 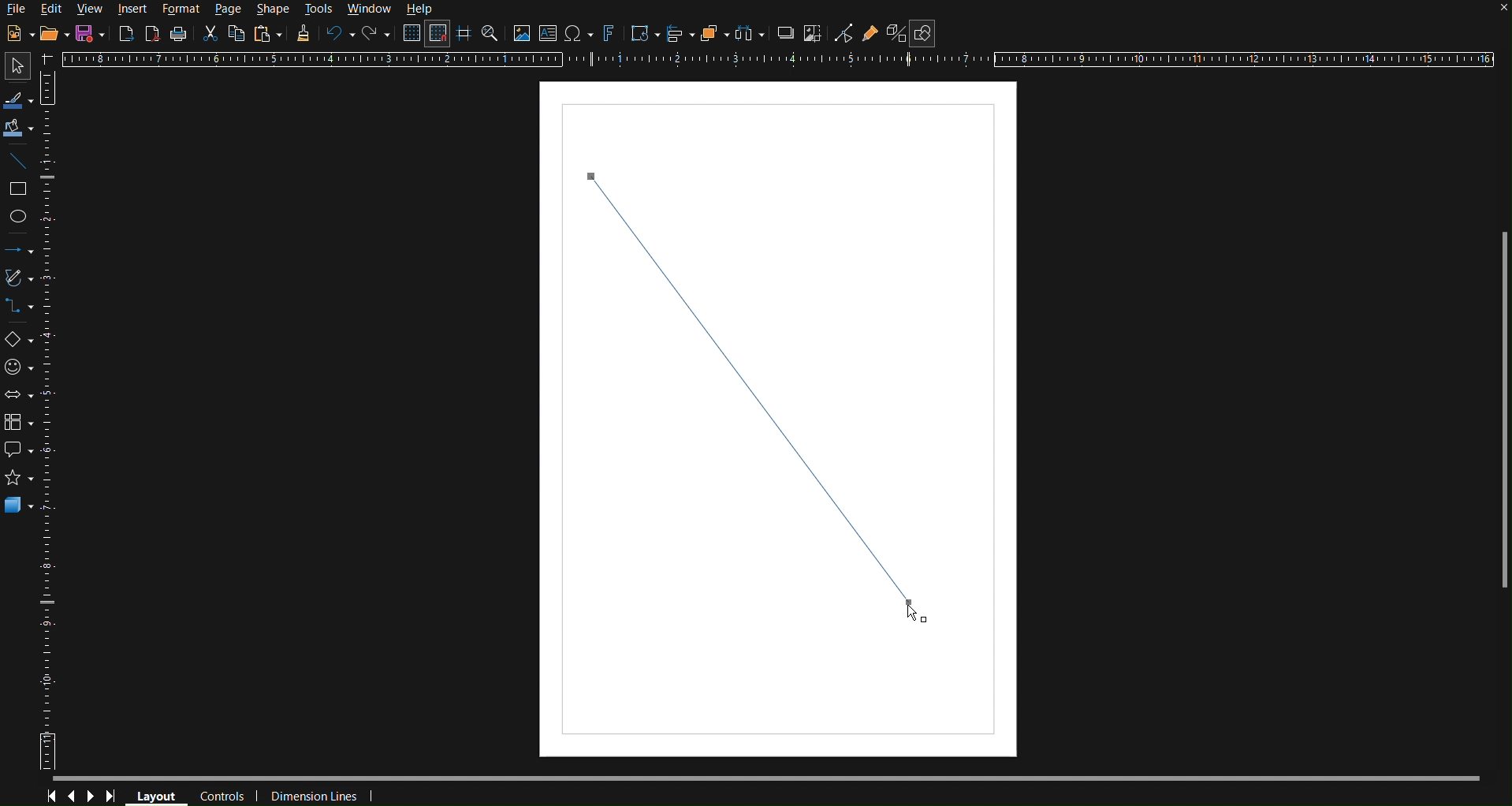 What do you see at coordinates (274, 9) in the screenshot?
I see `Shape` at bounding box center [274, 9].